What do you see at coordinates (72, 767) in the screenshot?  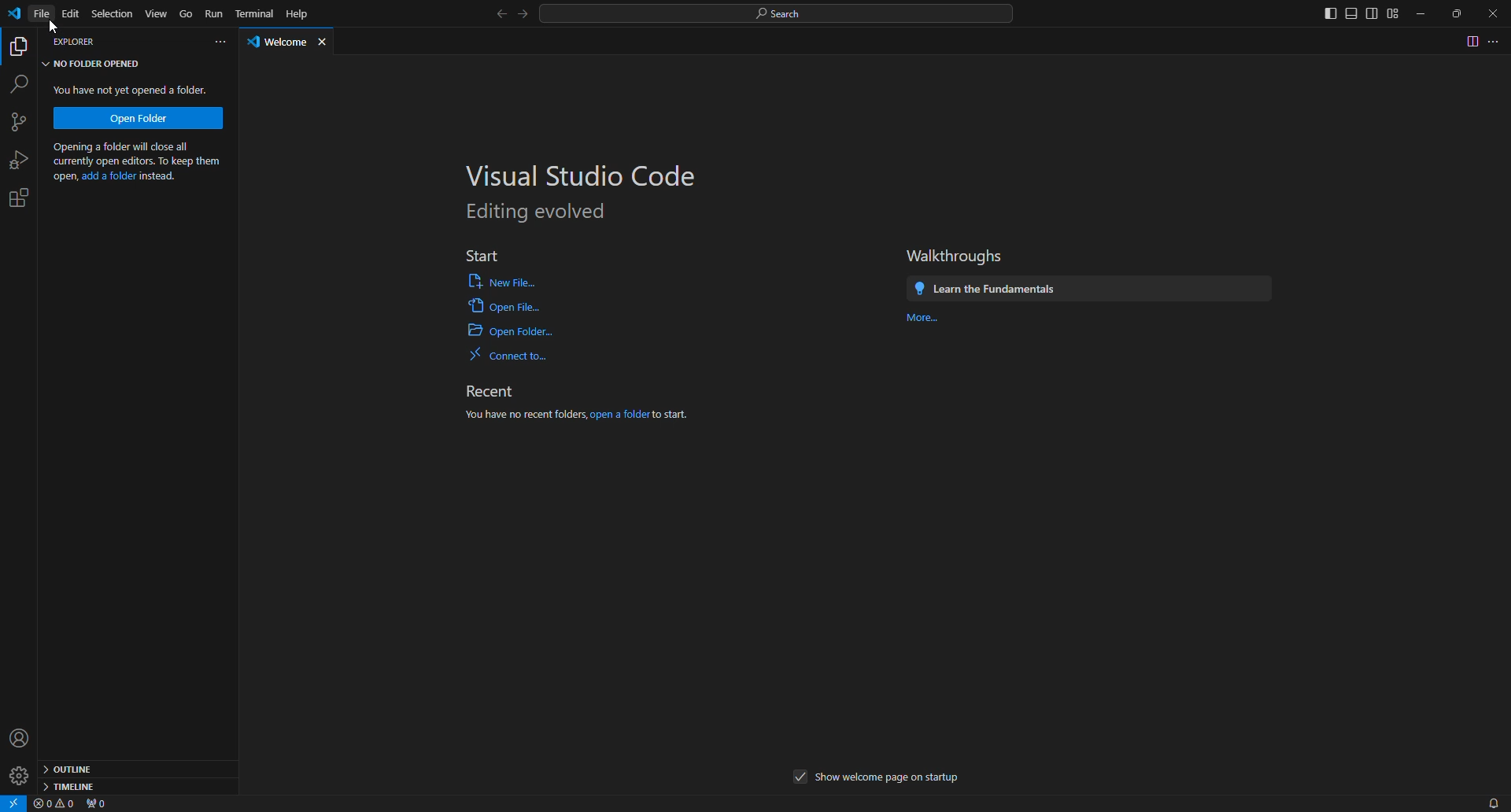 I see `outline` at bounding box center [72, 767].